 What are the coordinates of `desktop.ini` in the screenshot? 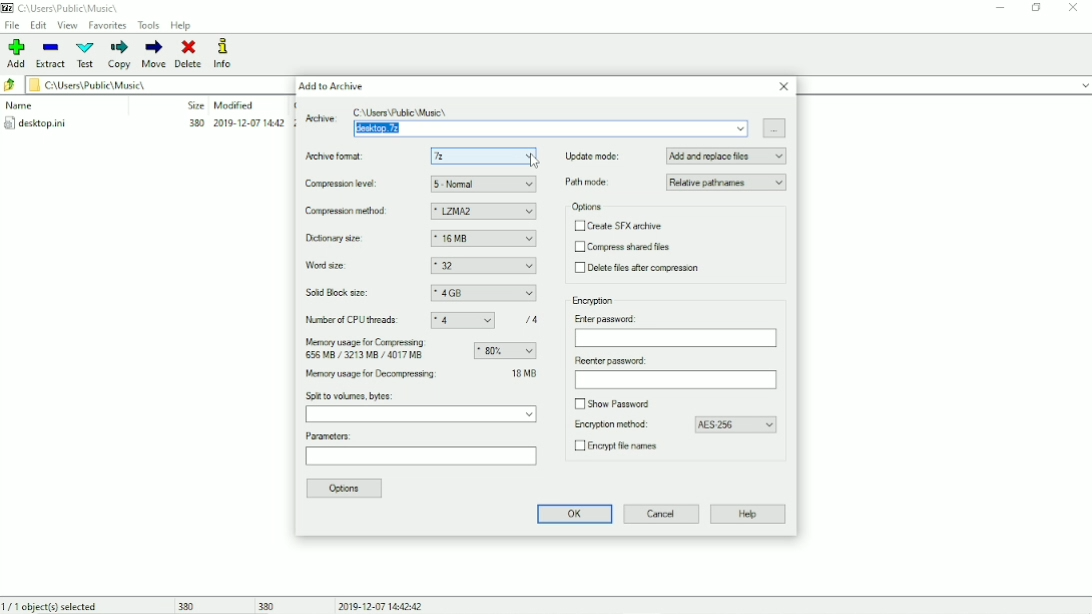 It's located at (147, 125).